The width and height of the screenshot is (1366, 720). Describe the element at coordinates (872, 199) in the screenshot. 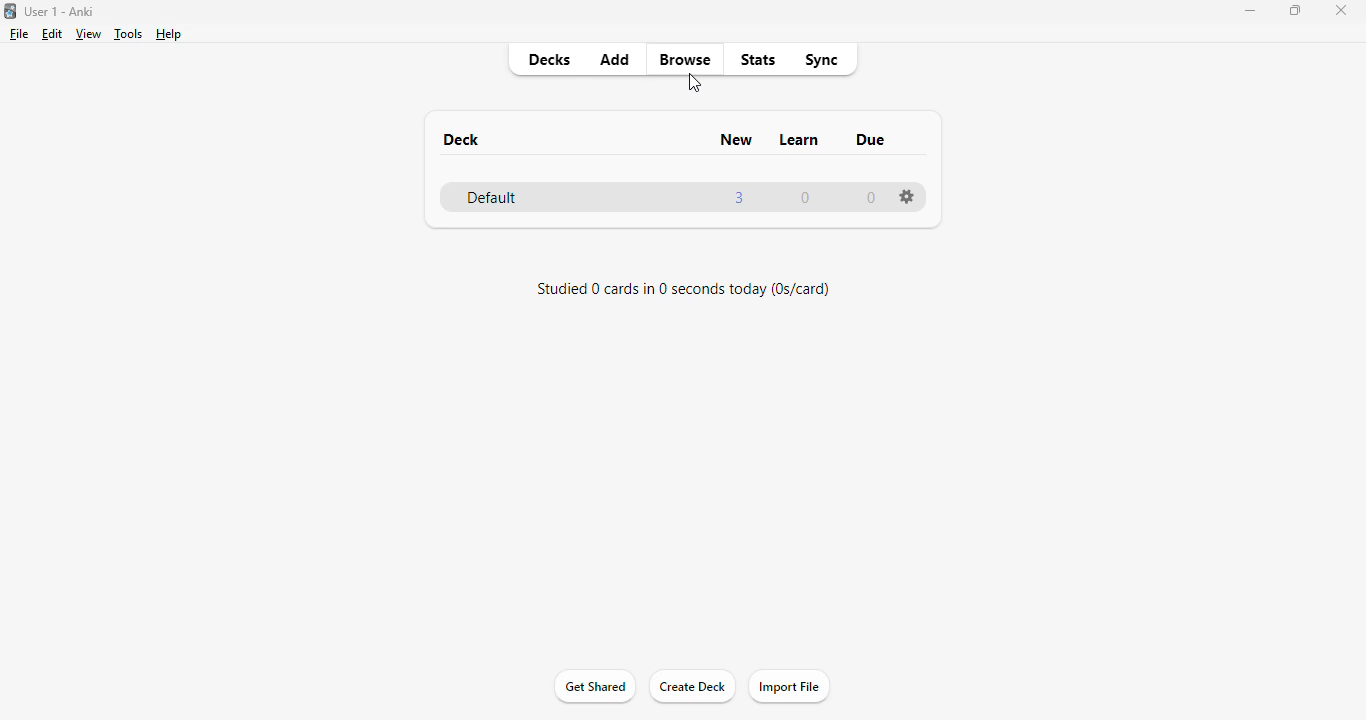

I see `0` at that location.